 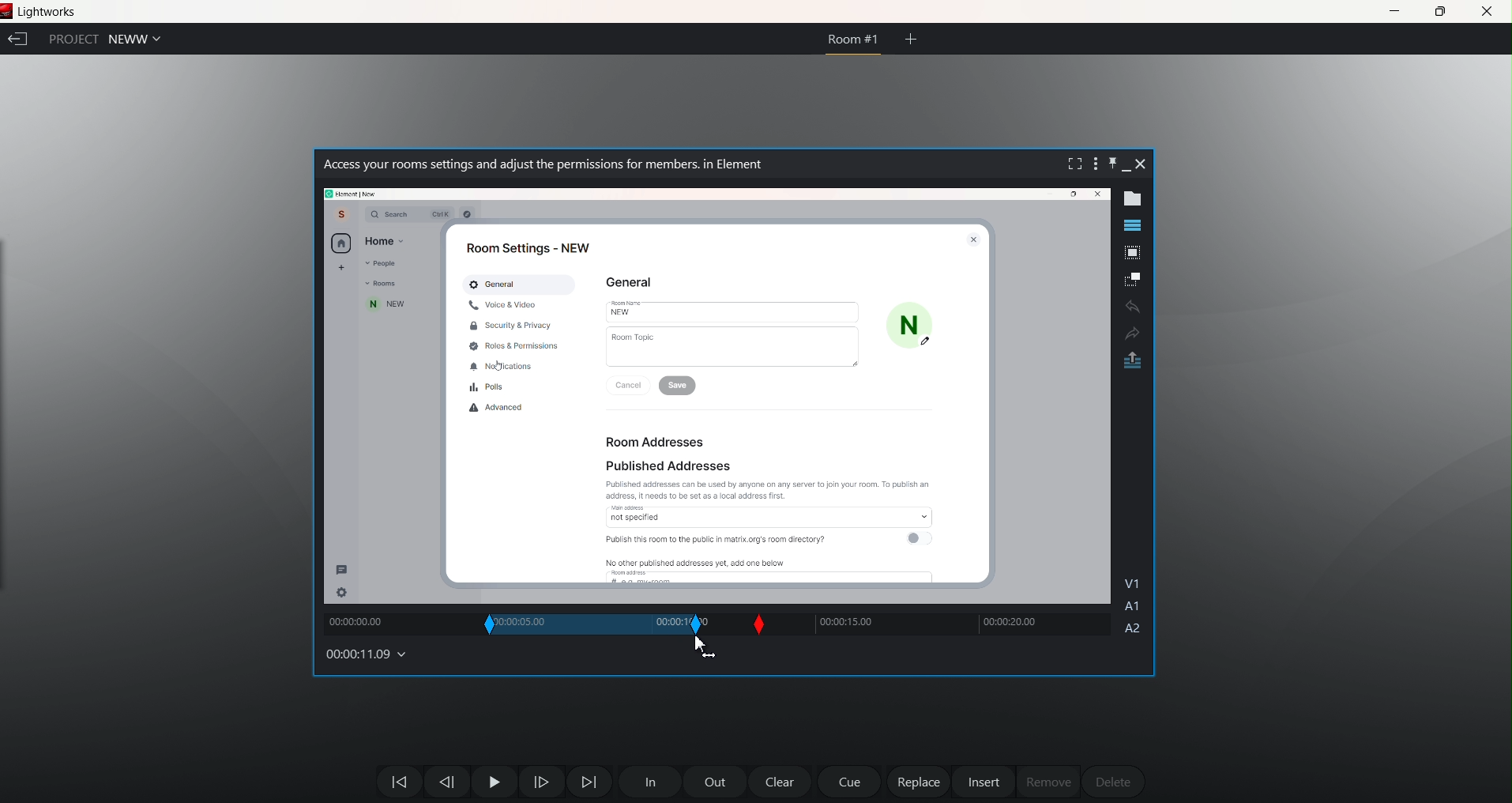 I want to click on No other published addresses yet, add one below, so click(x=698, y=564).